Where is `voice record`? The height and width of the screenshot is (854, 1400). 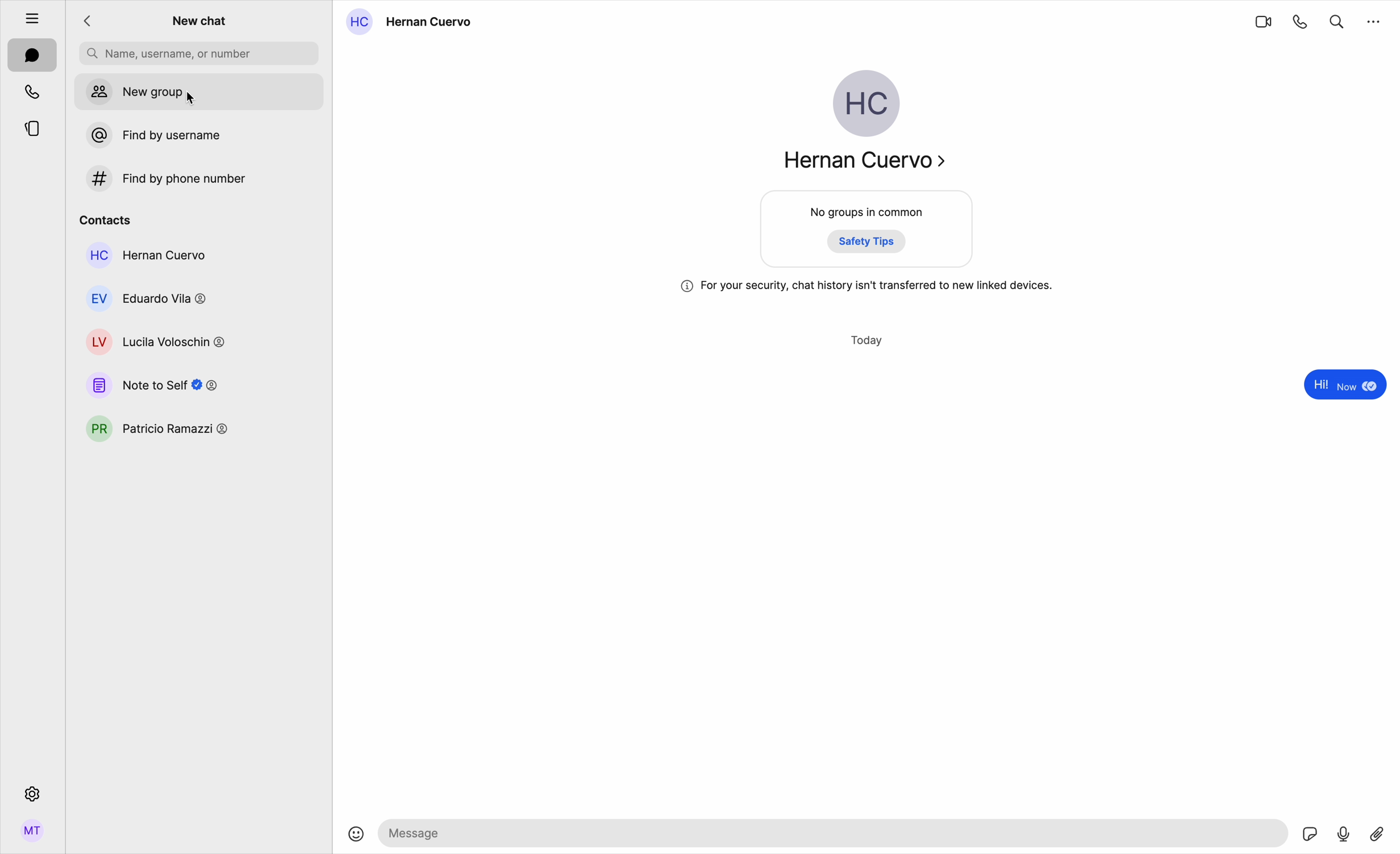 voice record is located at coordinates (1344, 832).